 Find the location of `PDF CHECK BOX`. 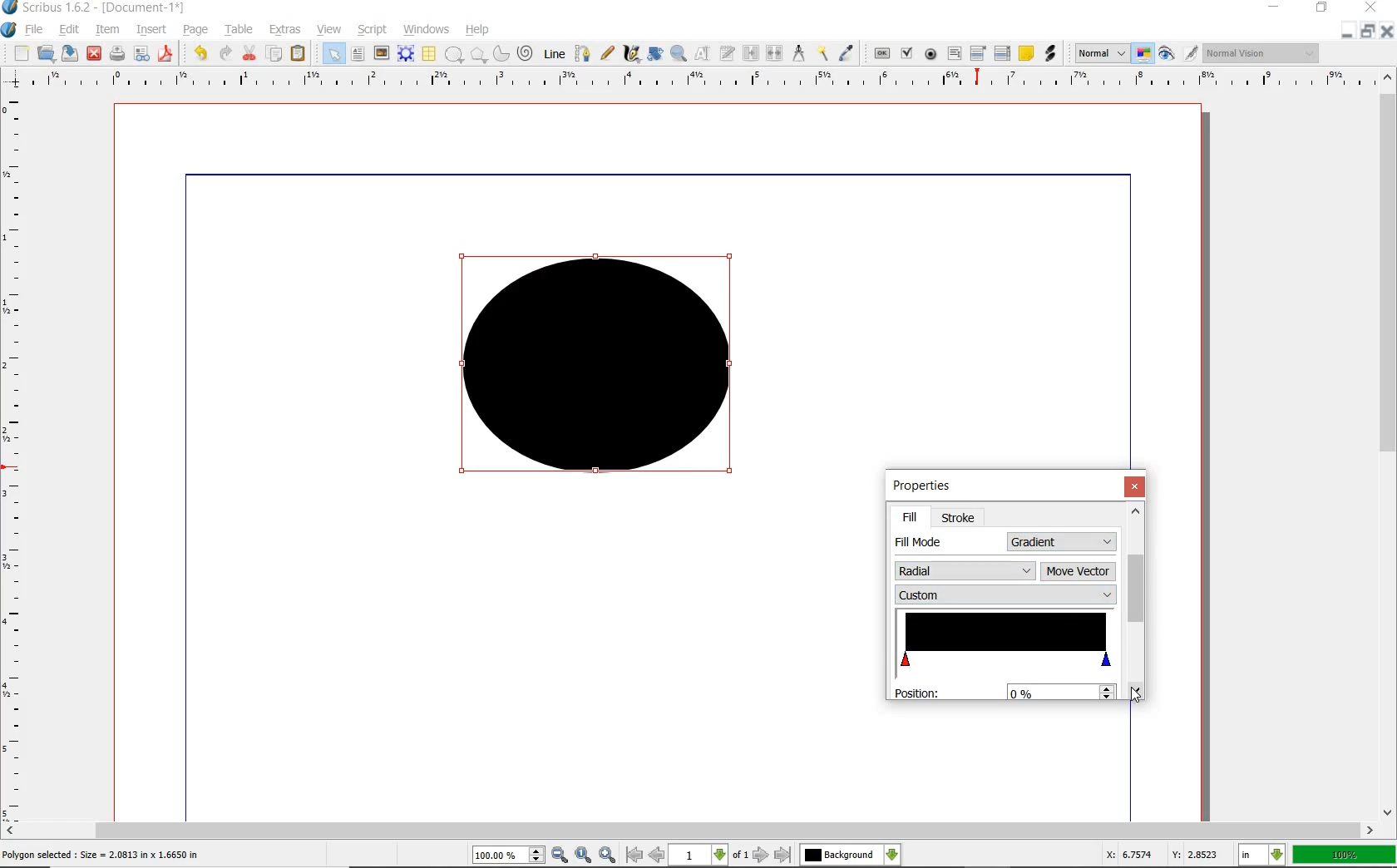

PDF CHECK BOX is located at coordinates (906, 52).